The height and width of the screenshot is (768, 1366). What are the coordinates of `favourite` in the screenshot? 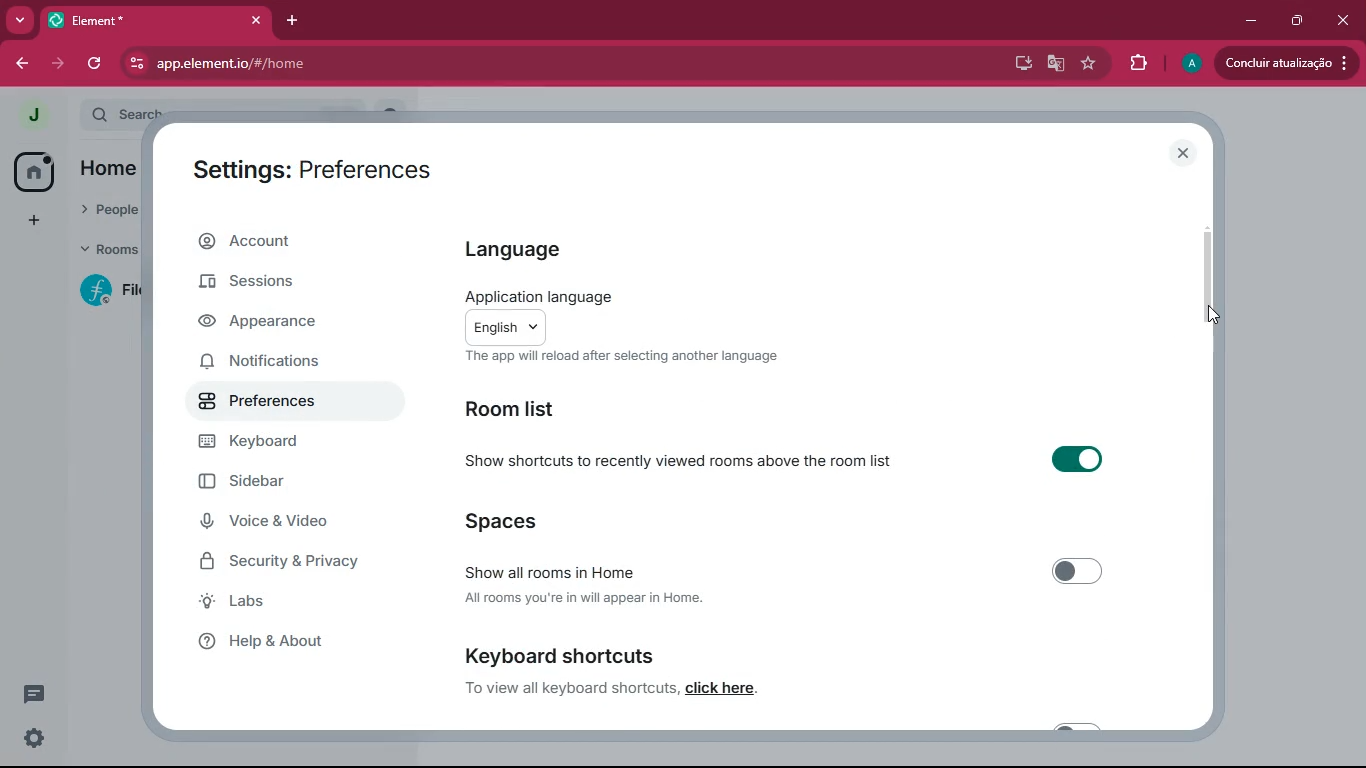 It's located at (1089, 64).